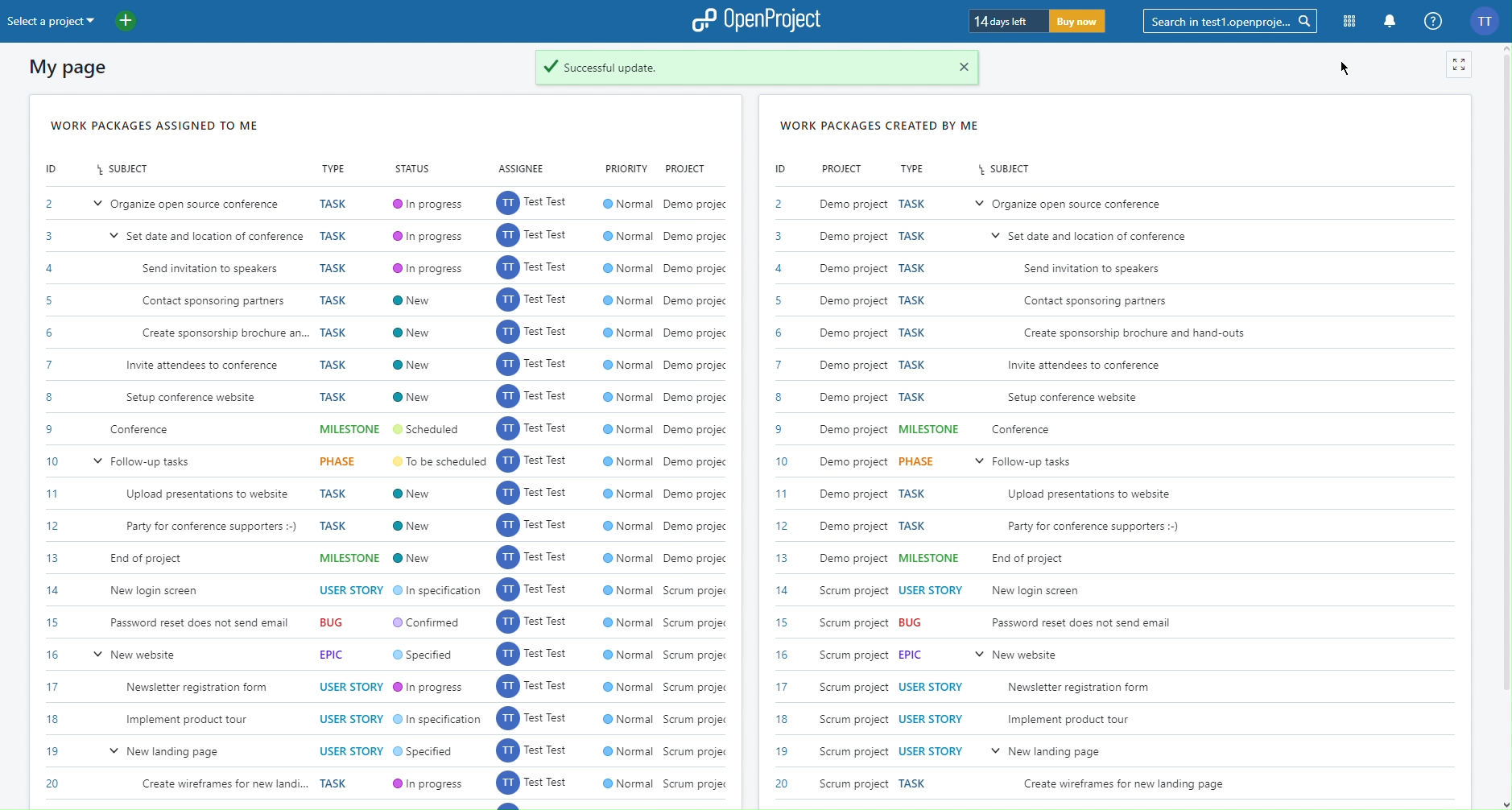 Image resolution: width=1512 pixels, height=810 pixels. I want to click on Task, so click(913, 510).